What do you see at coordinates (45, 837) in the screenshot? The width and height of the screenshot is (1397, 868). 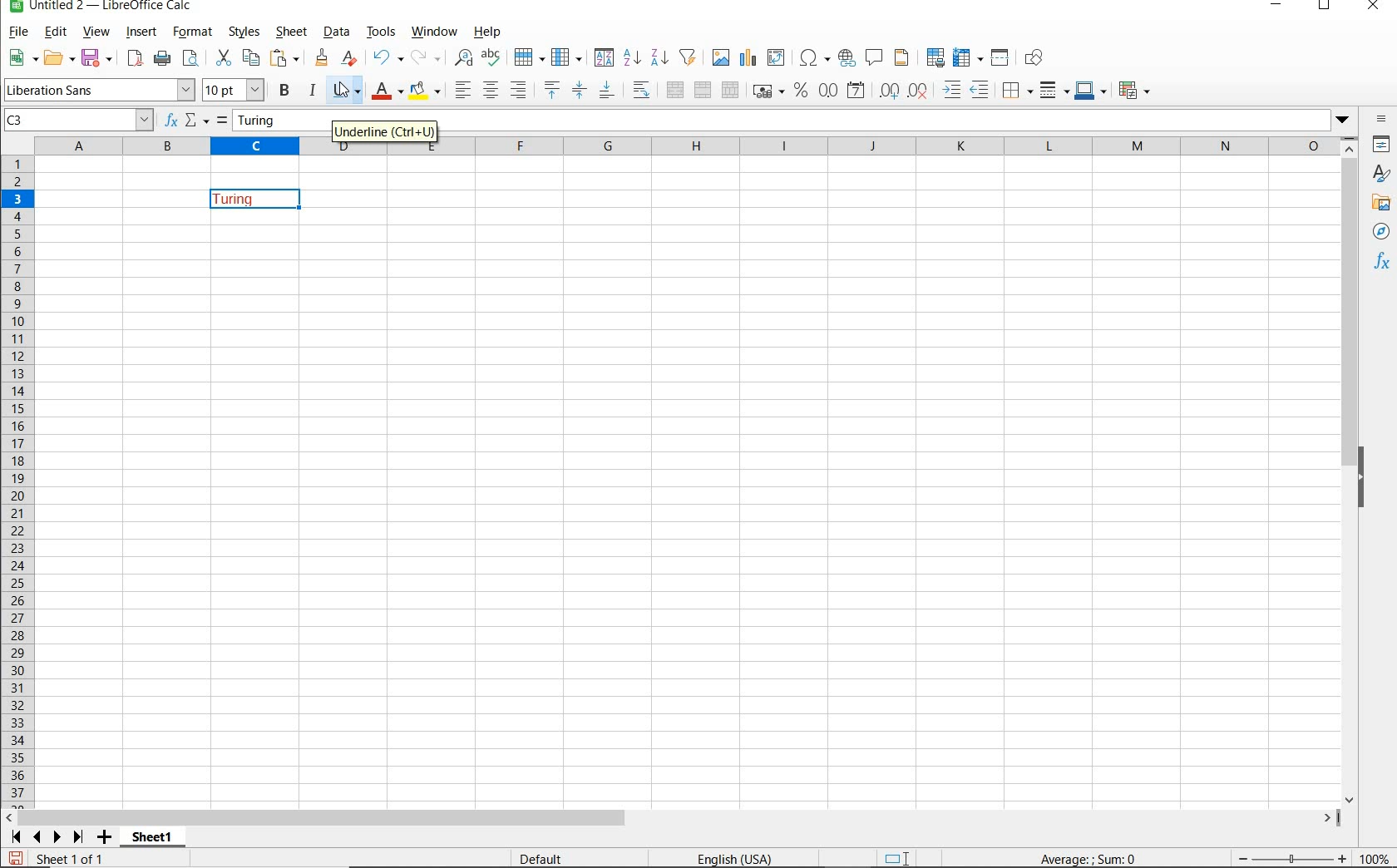 I see `SCROLL` at bounding box center [45, 837].